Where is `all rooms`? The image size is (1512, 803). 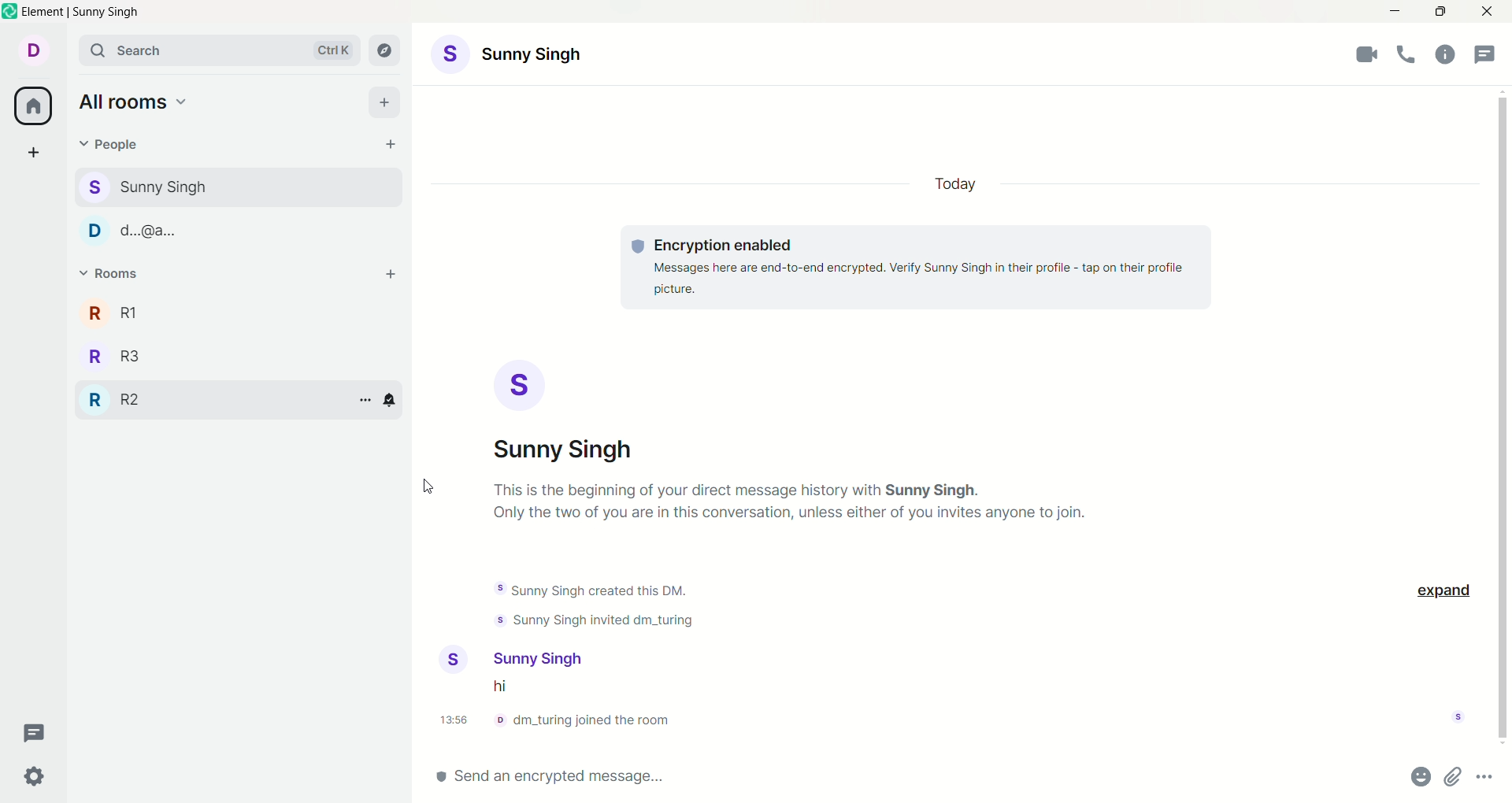 all rooms is located at coordinates (135, 100).